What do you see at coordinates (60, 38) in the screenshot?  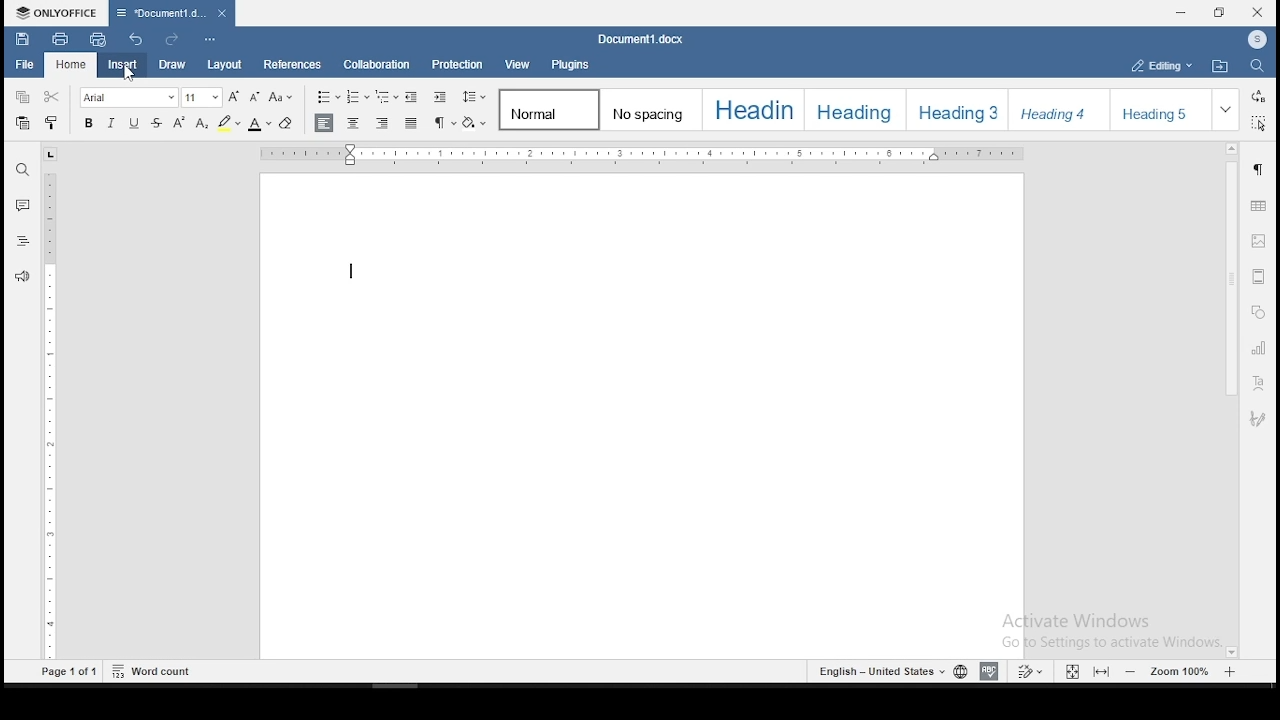 I see `print file` at bounding box center [60, 38].